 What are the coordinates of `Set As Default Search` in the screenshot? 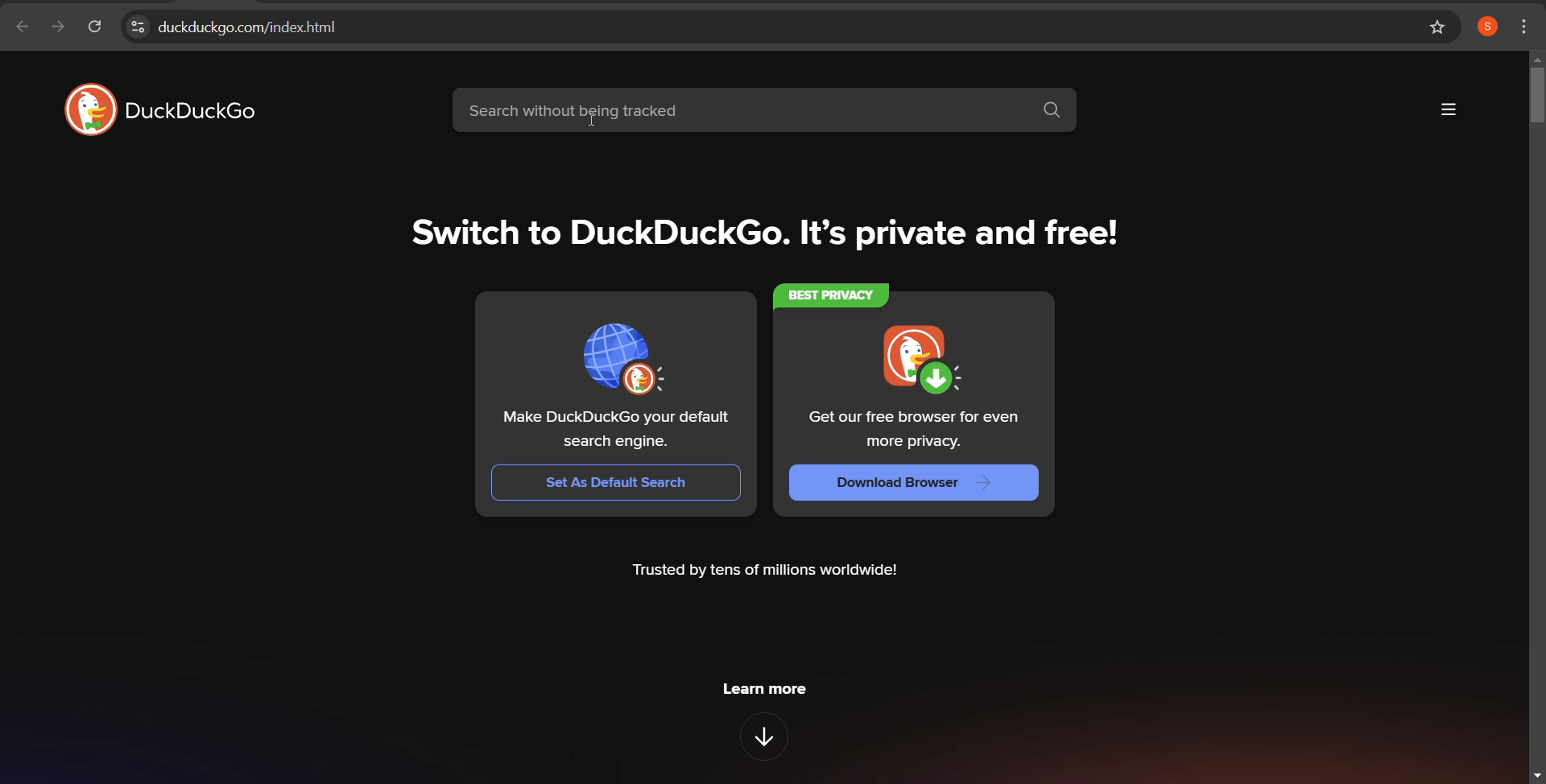 It's located at (618, 481).